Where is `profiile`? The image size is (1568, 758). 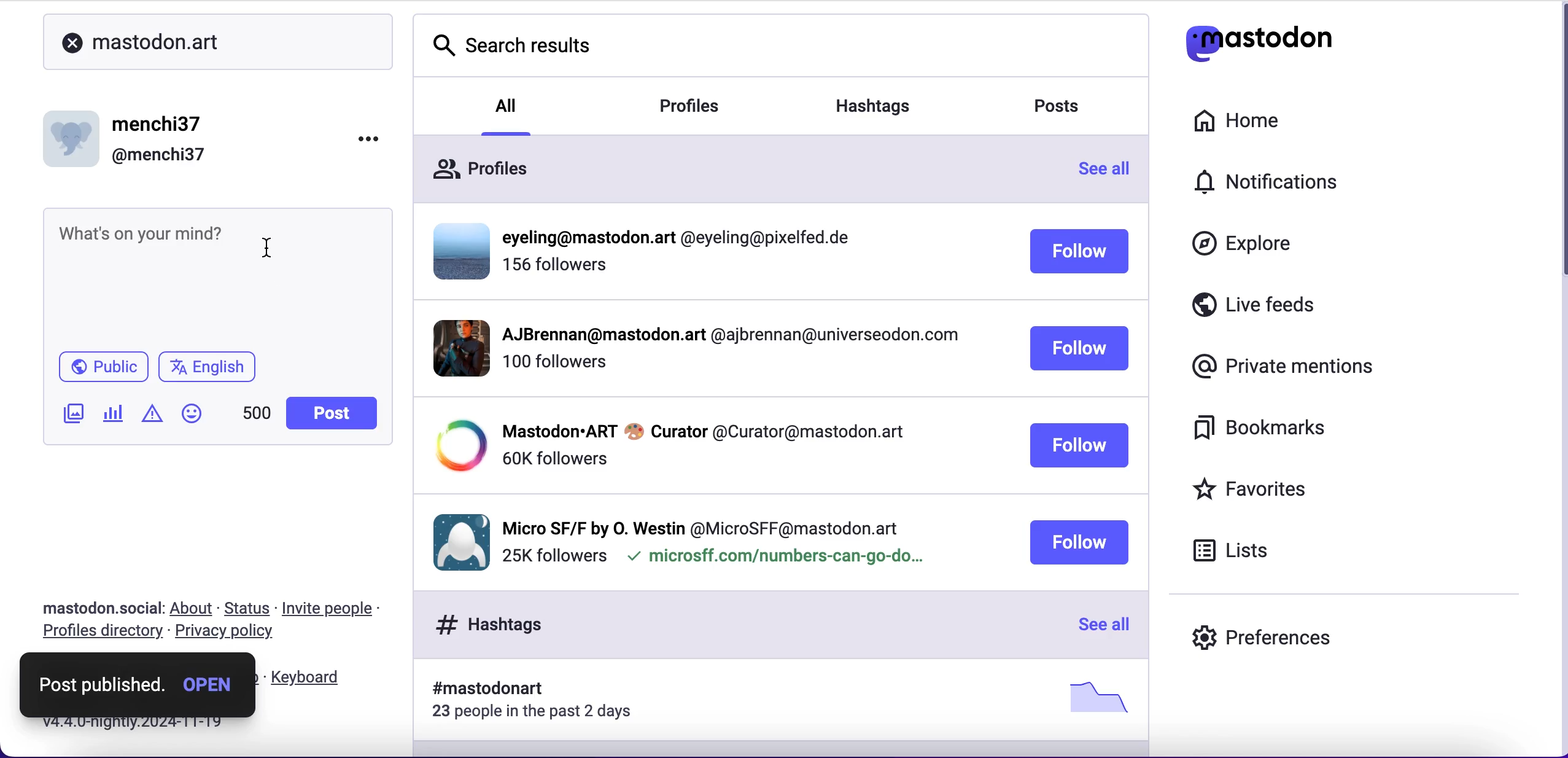 profiile is located at coordinates (683, 238).